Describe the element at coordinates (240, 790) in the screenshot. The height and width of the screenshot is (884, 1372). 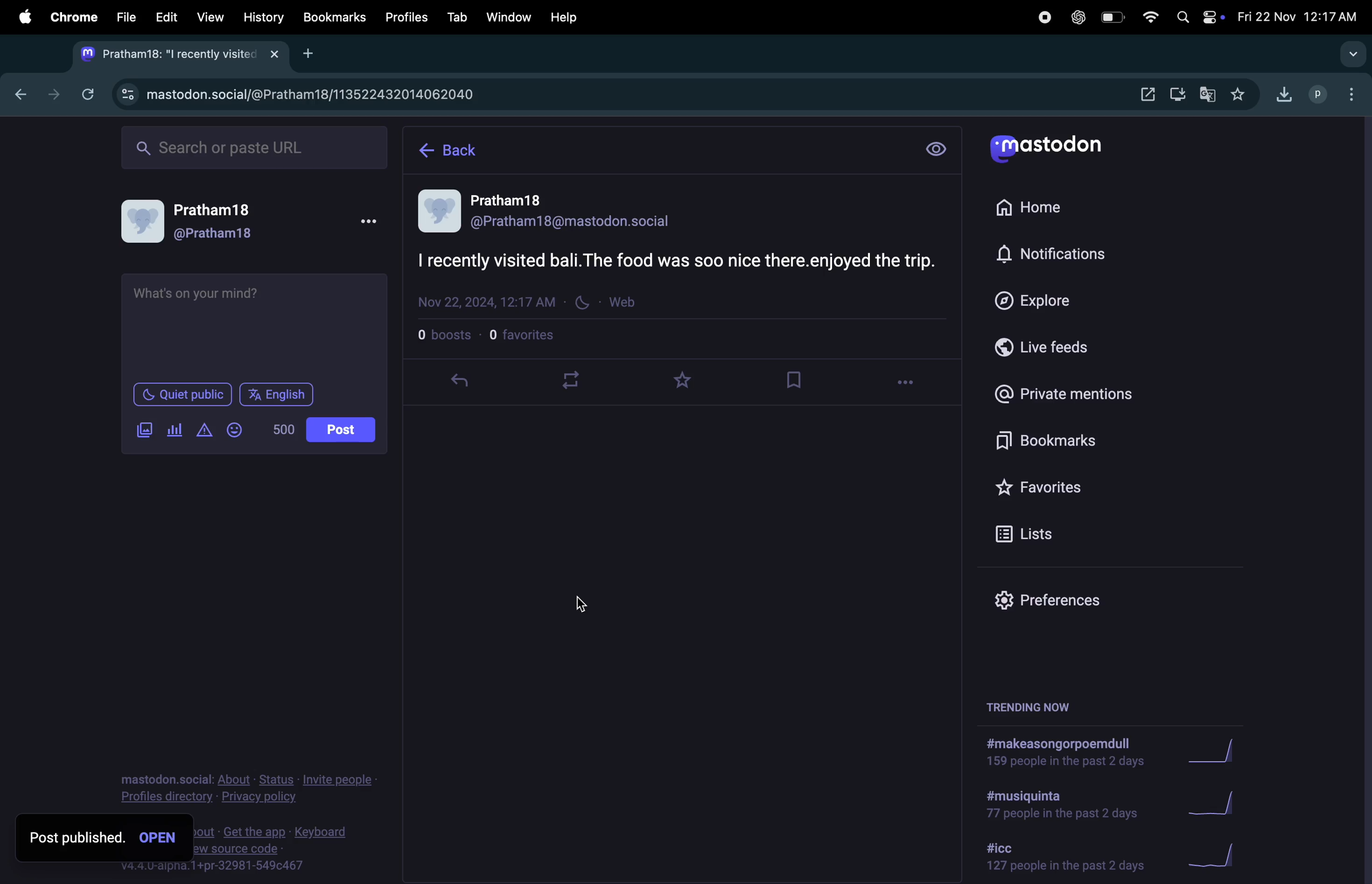
I see `privacy policy` at that location.